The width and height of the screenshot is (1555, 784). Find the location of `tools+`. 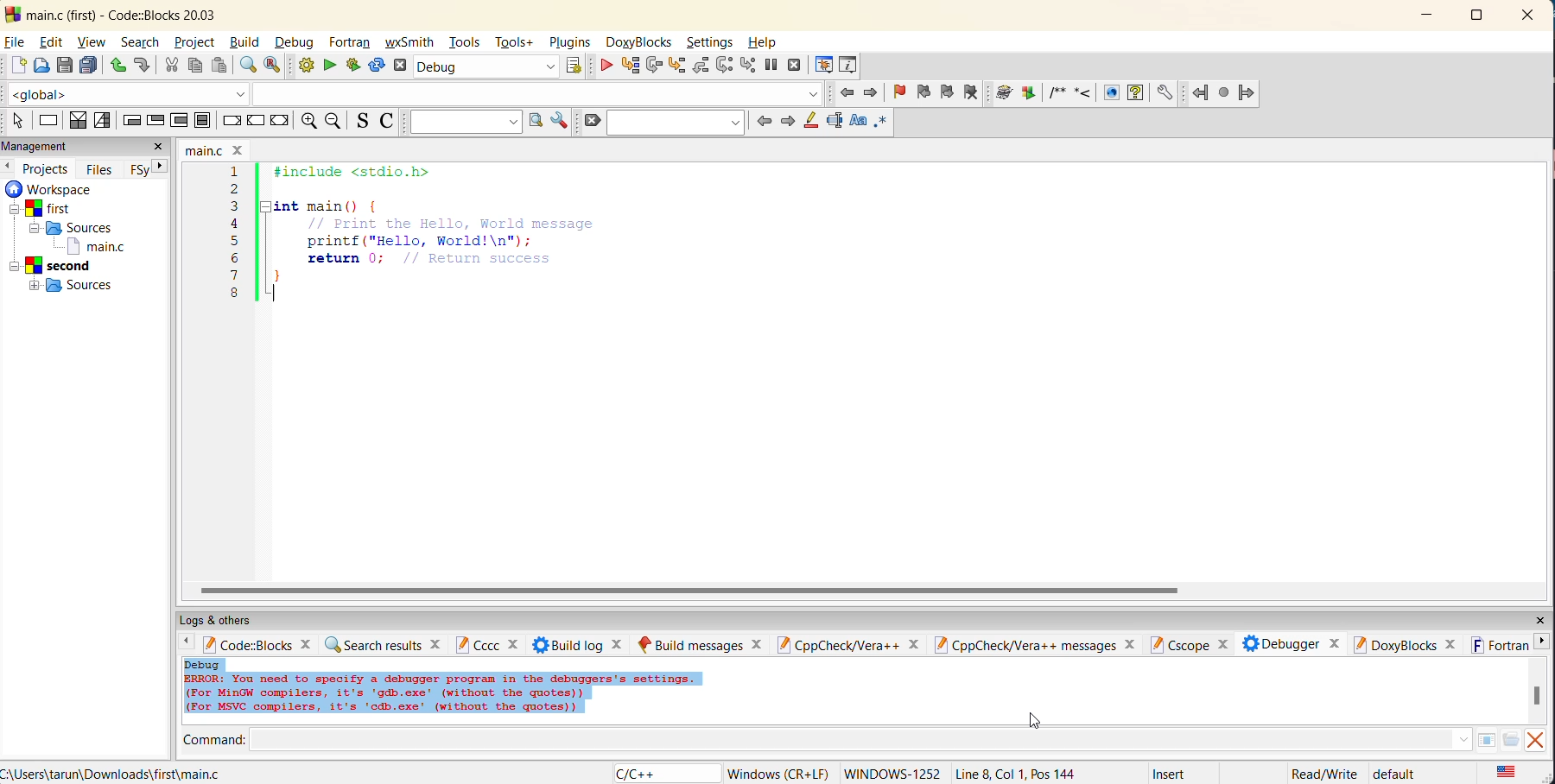

tools+ is located at coordinates (514, 41).